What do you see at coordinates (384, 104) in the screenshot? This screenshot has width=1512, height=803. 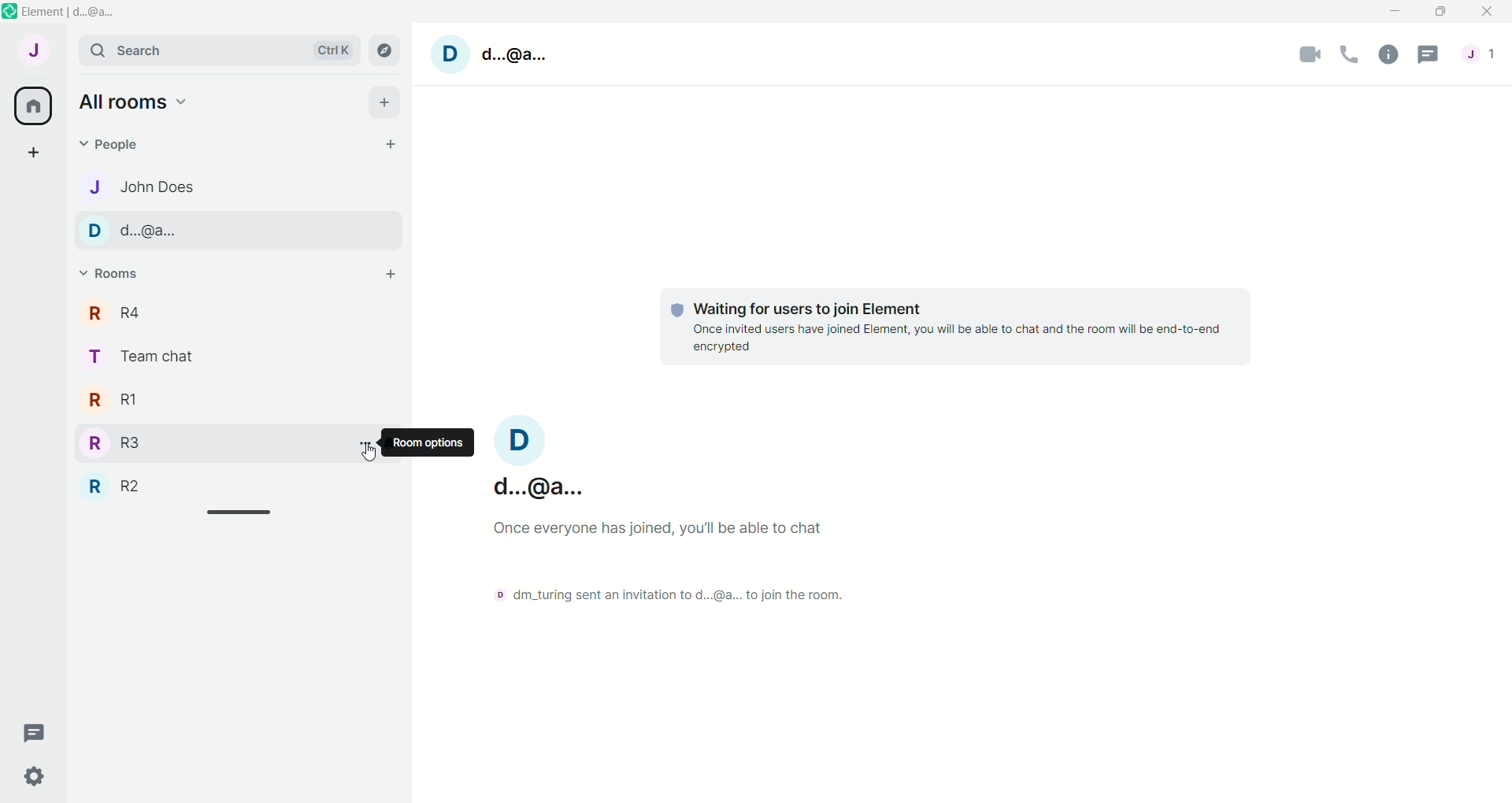 I see `add` at bounding box center [384, 104].